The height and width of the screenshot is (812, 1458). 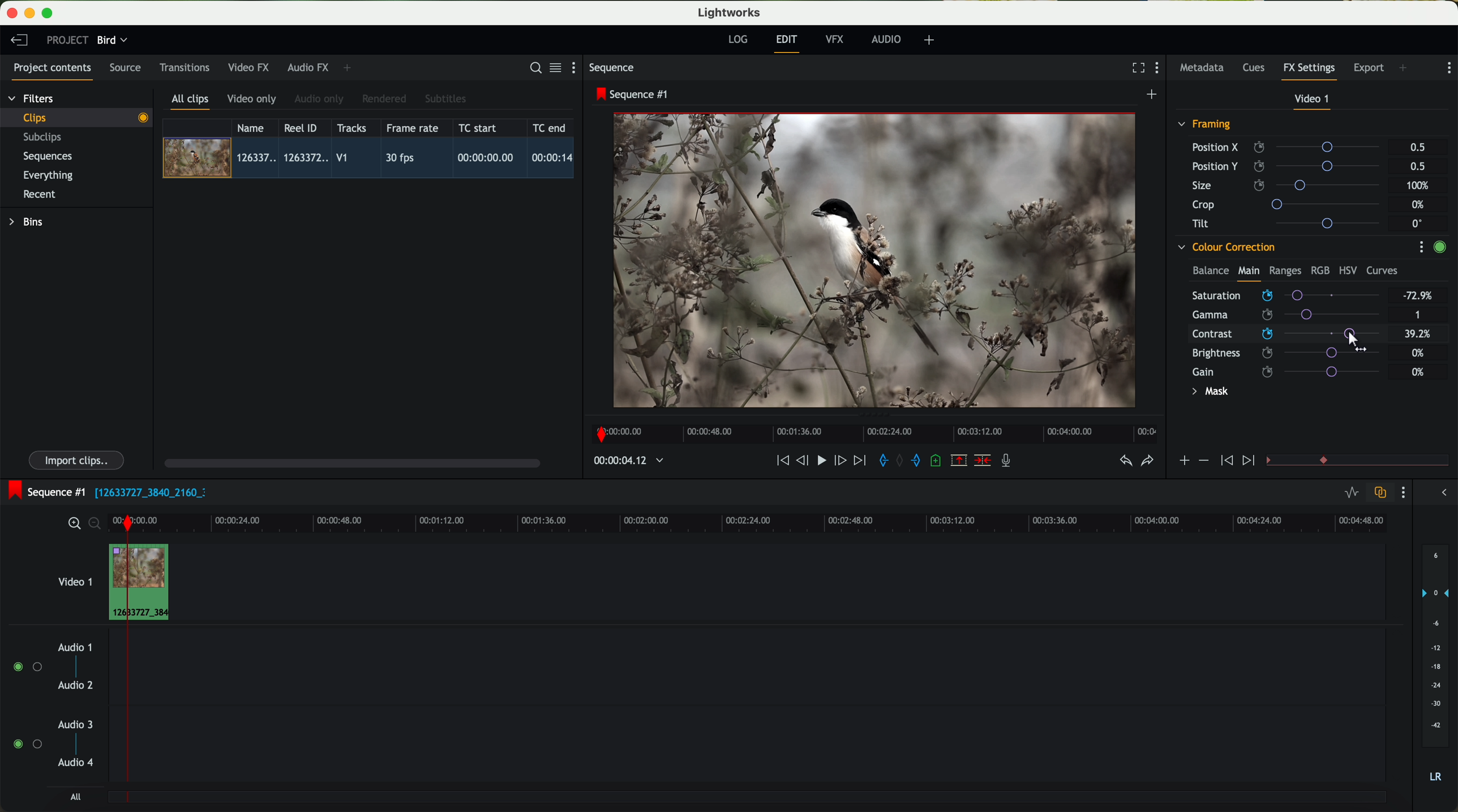 I want to click on scroll bar, so click(x=351, y=462).